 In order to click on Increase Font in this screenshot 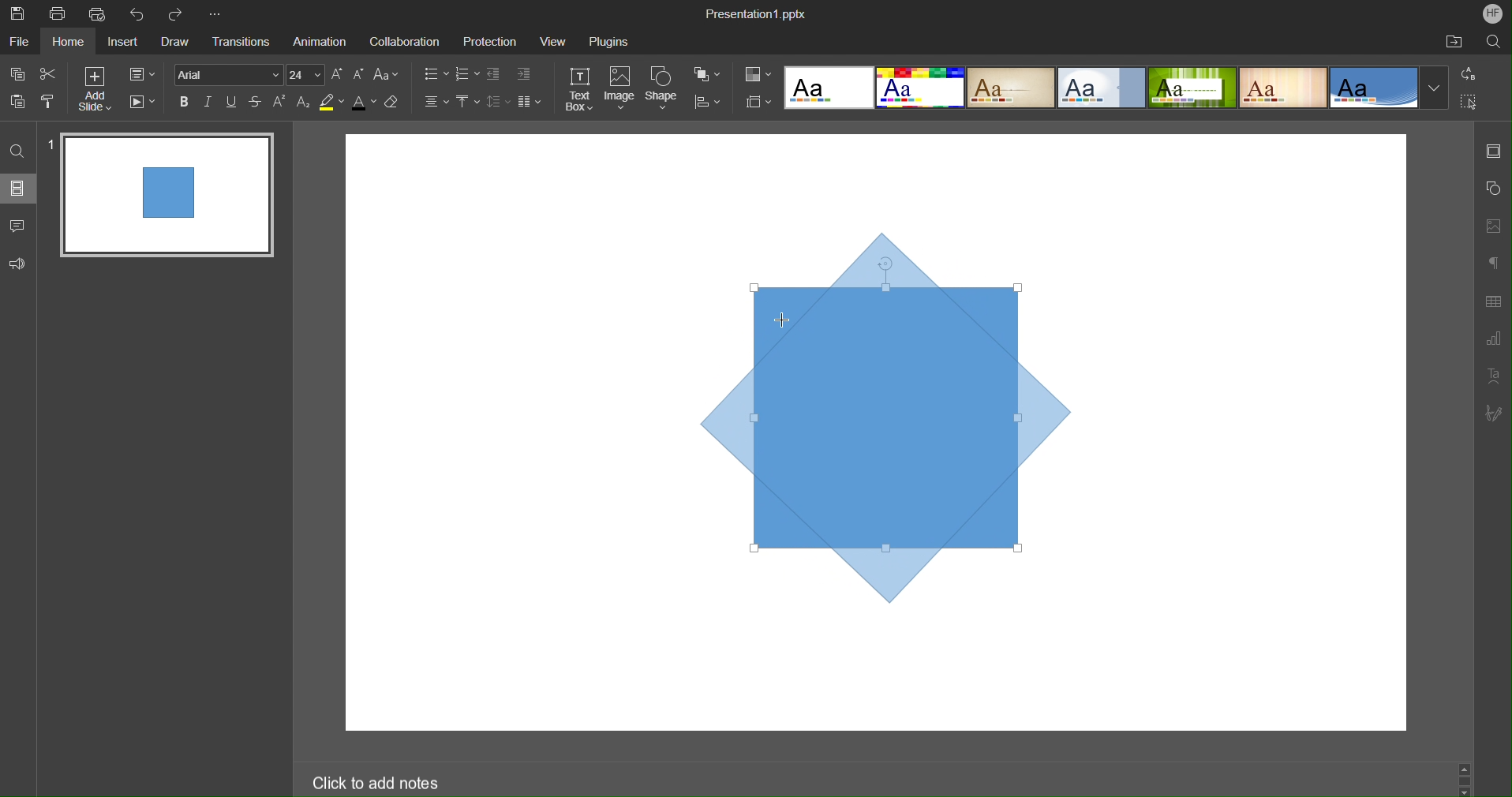, I will do `click(338, 75)`.